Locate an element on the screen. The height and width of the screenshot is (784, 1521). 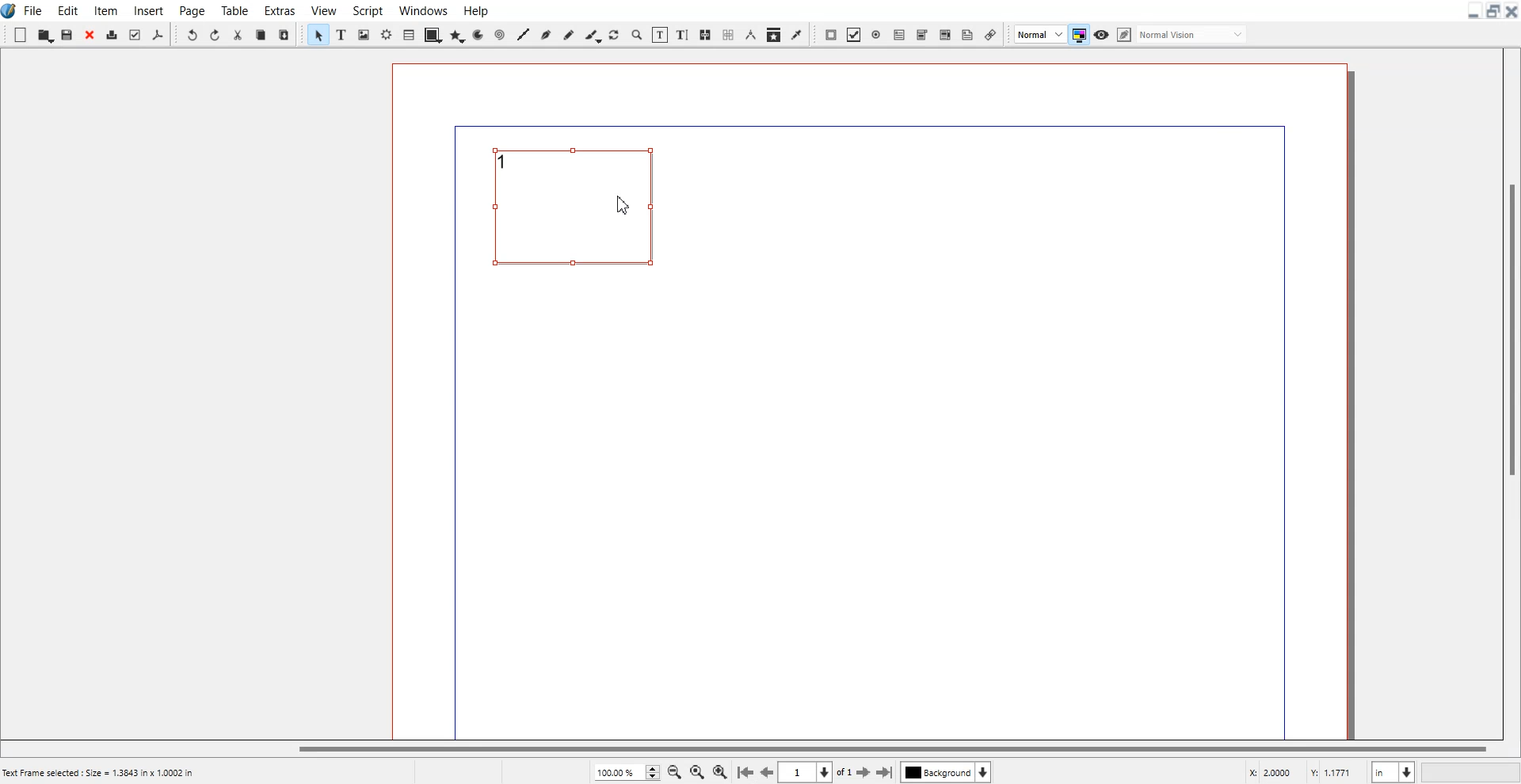
Go to the last page is located at coordinates (884, 772).